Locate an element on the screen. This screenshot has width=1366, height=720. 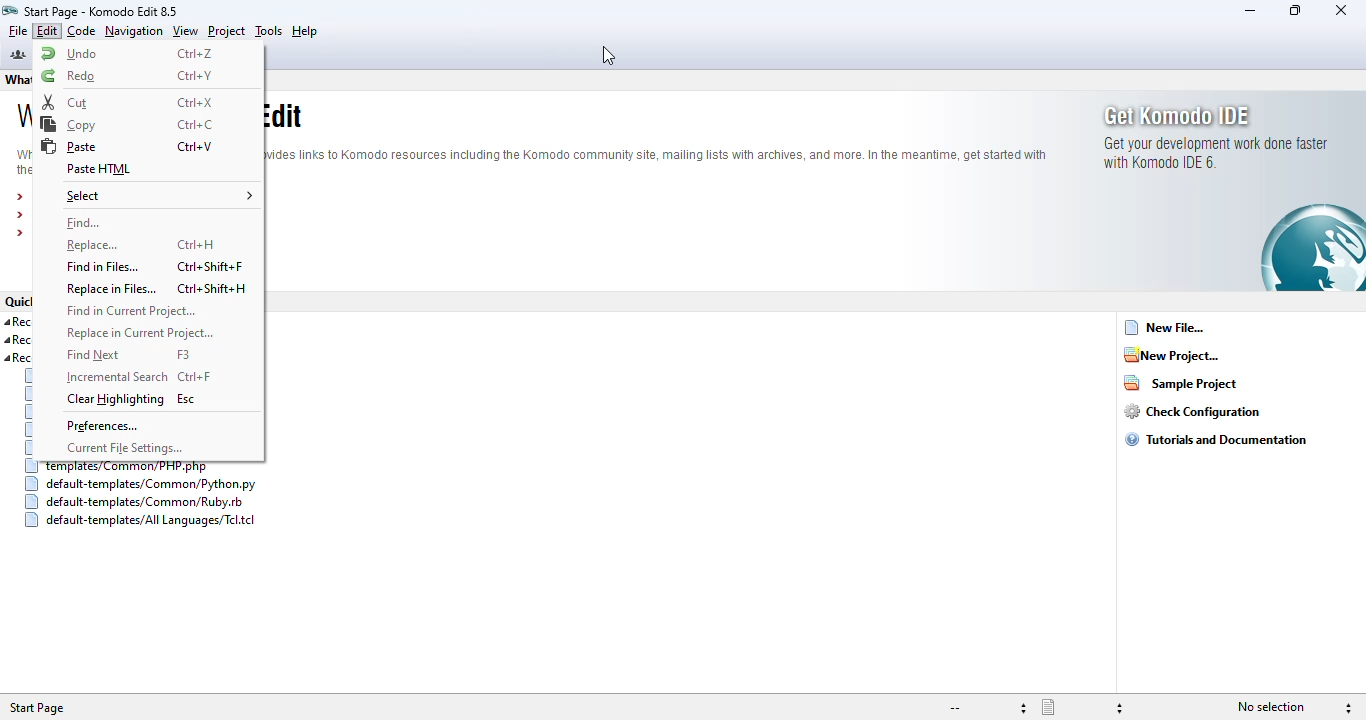
project is located at coordinates (227, 31).